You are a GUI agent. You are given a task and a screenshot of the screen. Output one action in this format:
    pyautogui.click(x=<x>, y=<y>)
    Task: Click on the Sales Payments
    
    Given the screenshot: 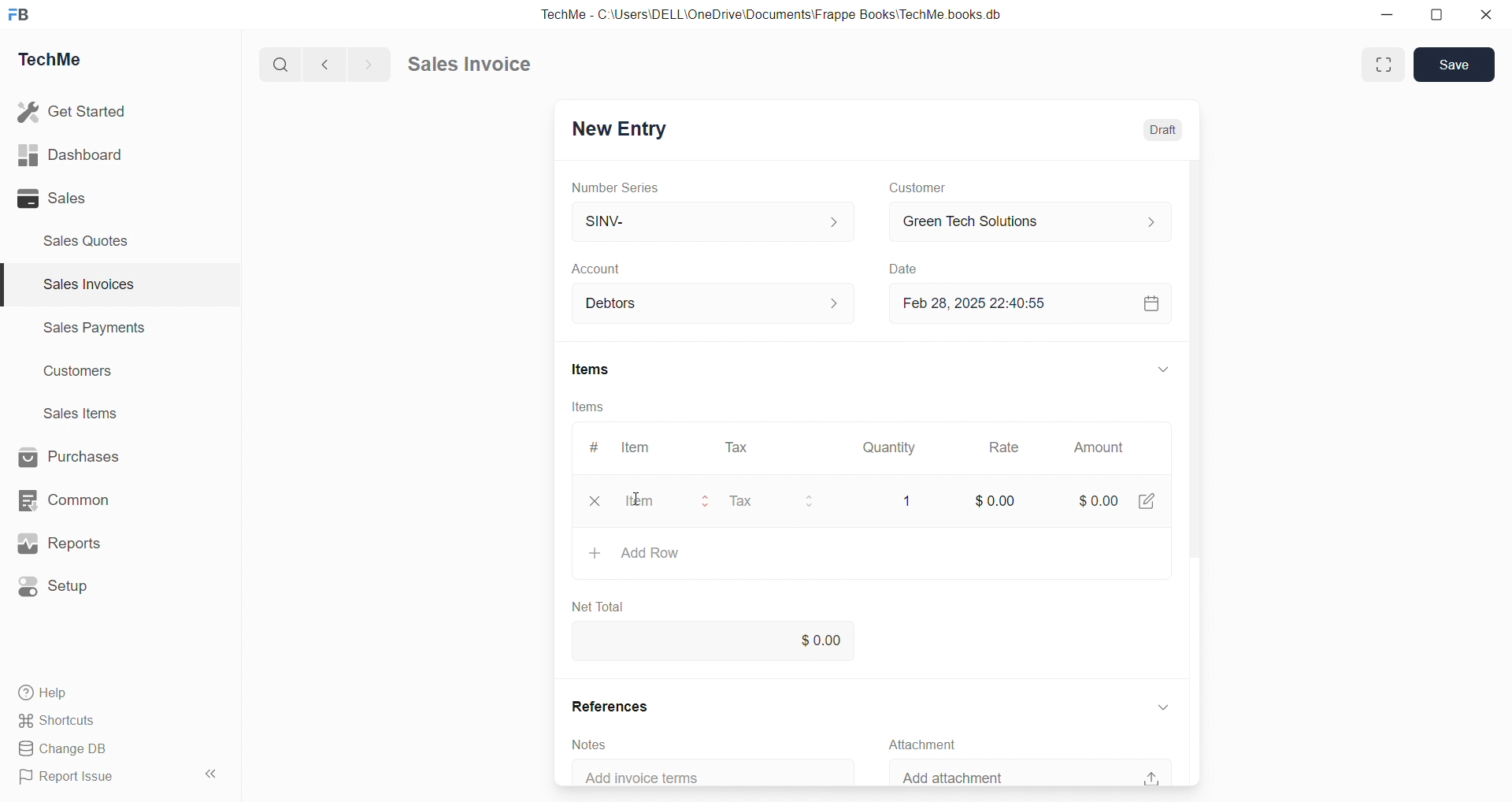 What is the action you would take?
    pyautogui.click(x=96, y=326)
    